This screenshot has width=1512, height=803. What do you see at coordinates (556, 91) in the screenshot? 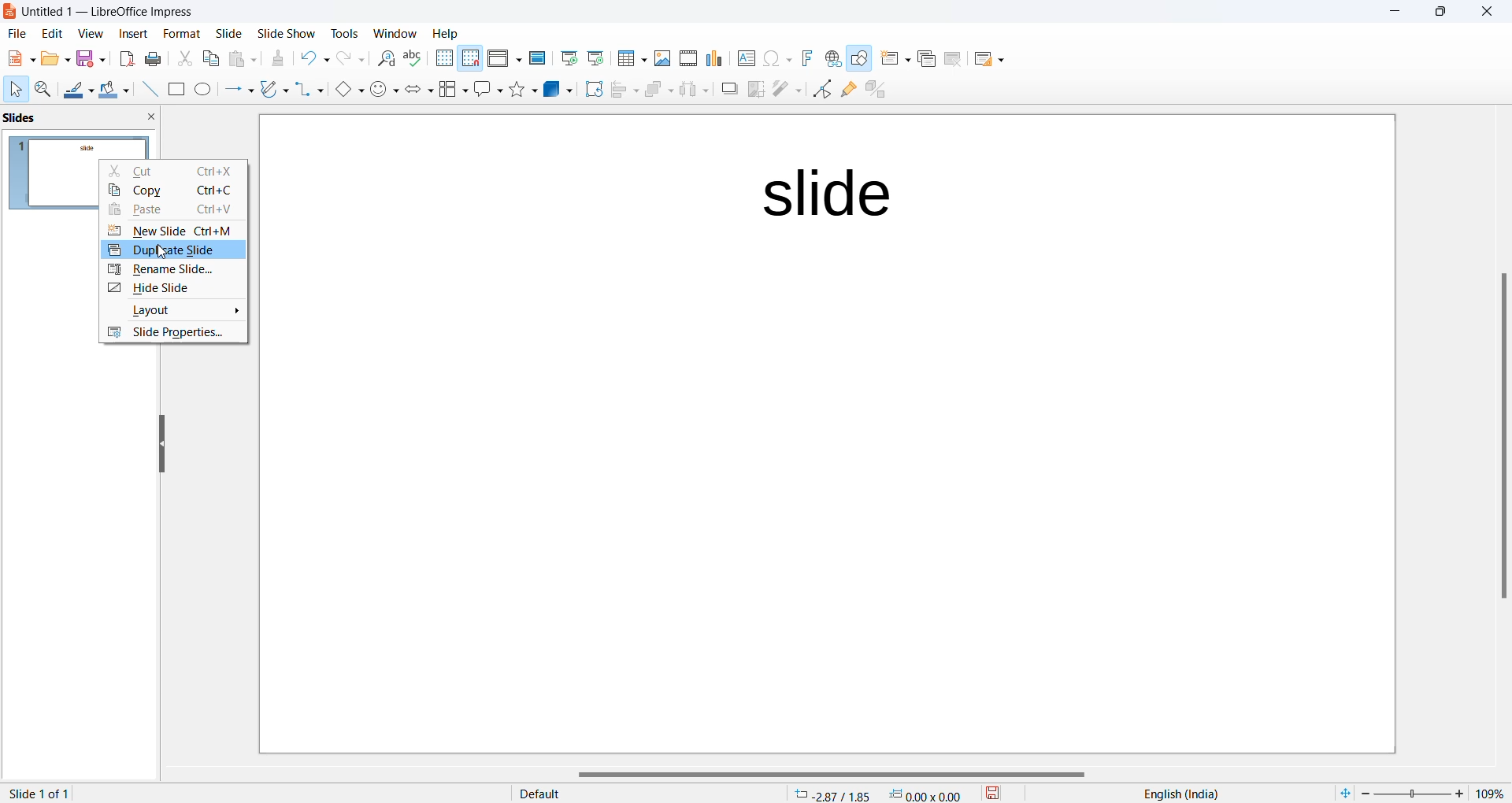
I see `3D objects` at bounding box center [556, 91].